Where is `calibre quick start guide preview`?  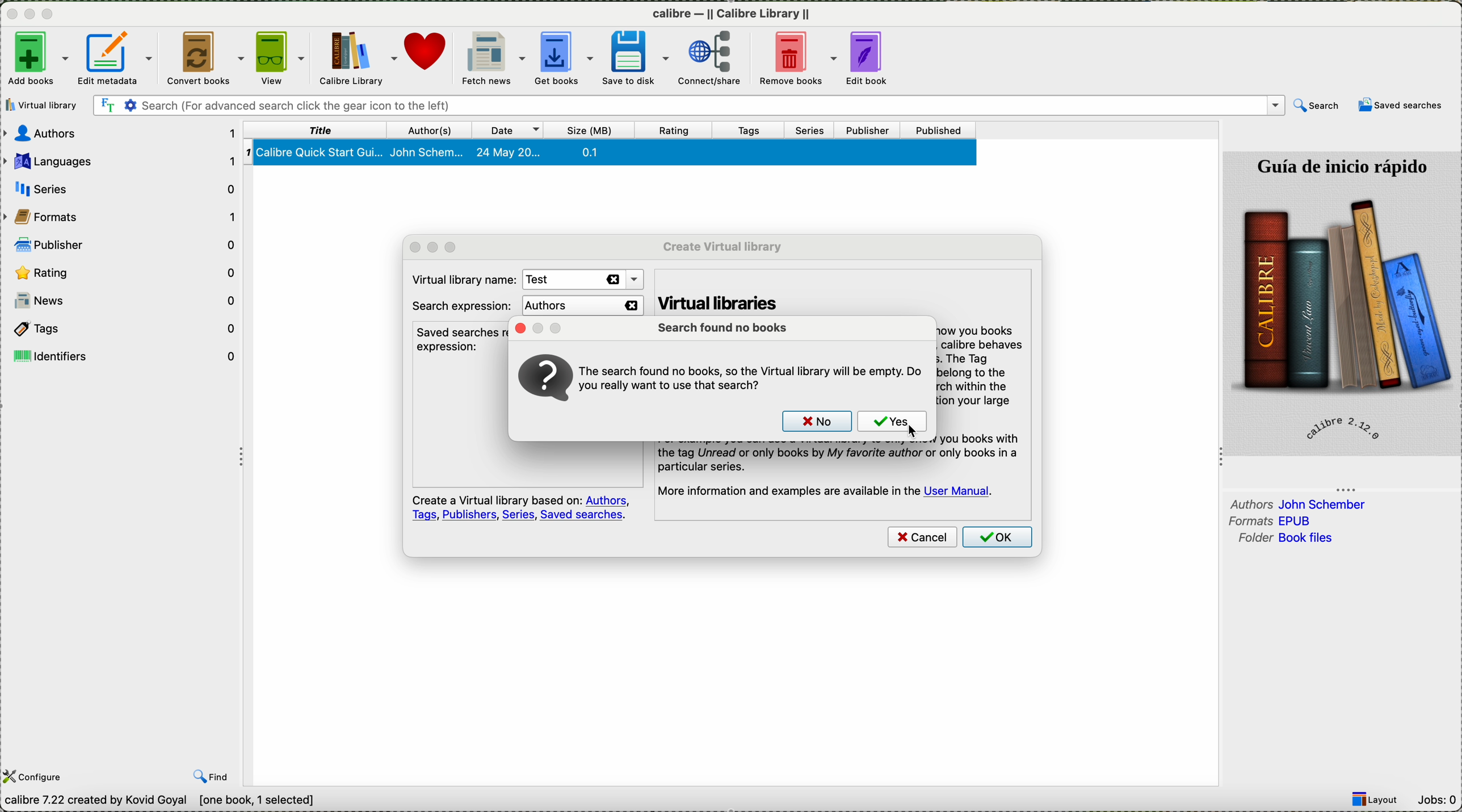
calibre quick start guide preview is located at coordinates (1341, 302).